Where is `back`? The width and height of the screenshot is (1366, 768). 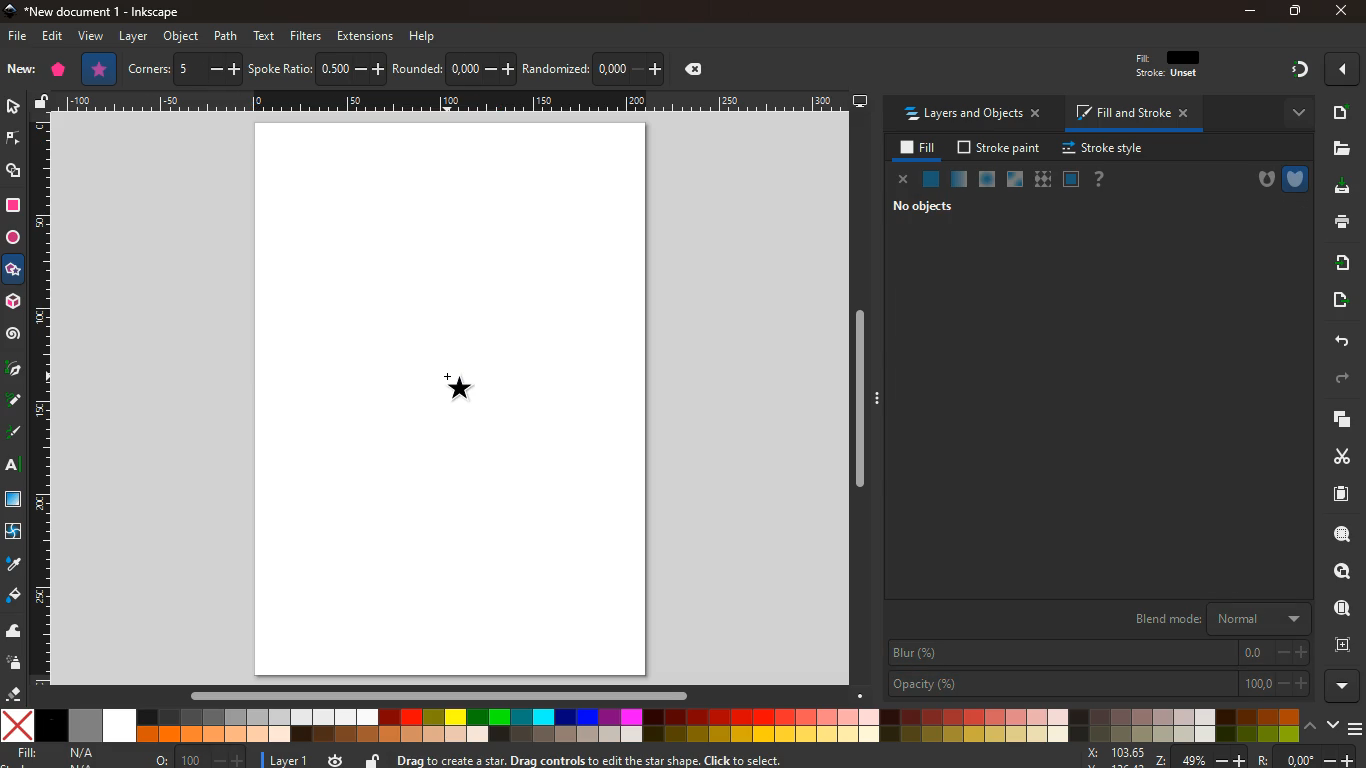
back is located at coordinates (1337, 342).